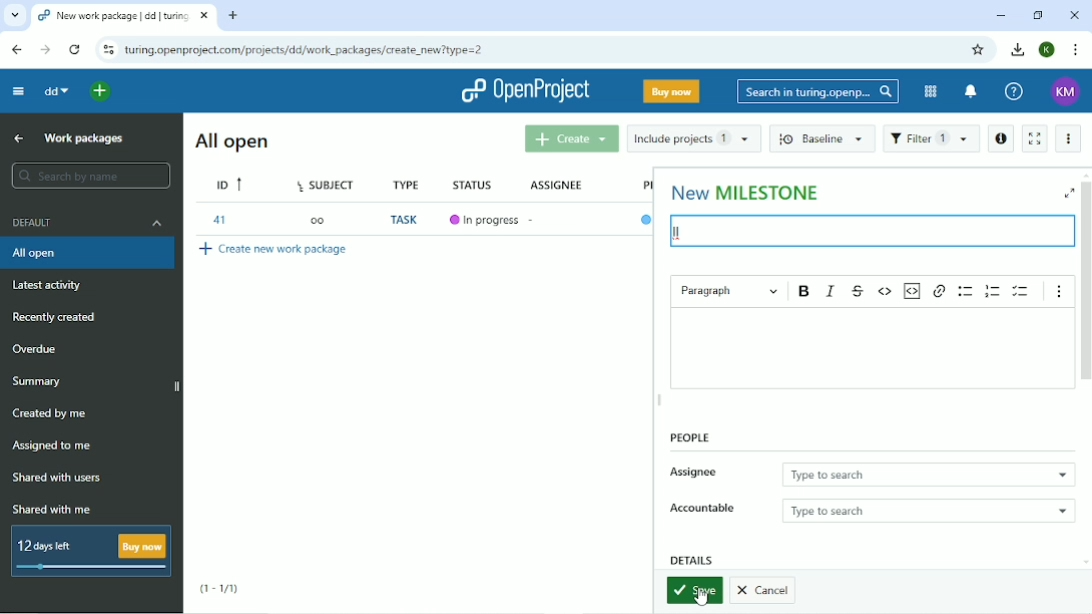 Image resolution: width=1092 pixels, height=614 pixels. Describe the element at coordinates (693, 590) in the screenshot. I see `Save` at that location.